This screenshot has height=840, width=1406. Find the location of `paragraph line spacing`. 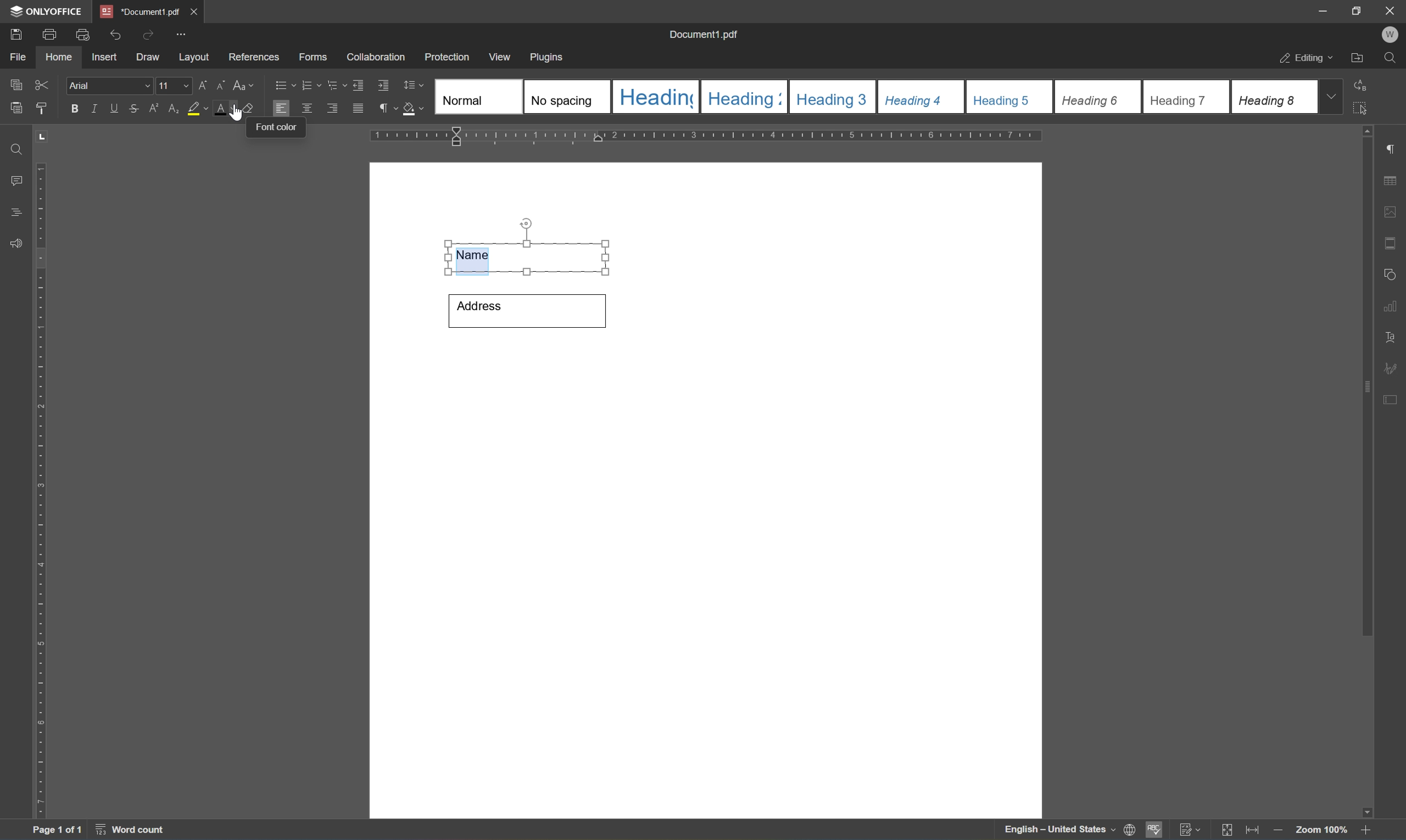

paragraph line spacing is located at coordinates (416, 85).